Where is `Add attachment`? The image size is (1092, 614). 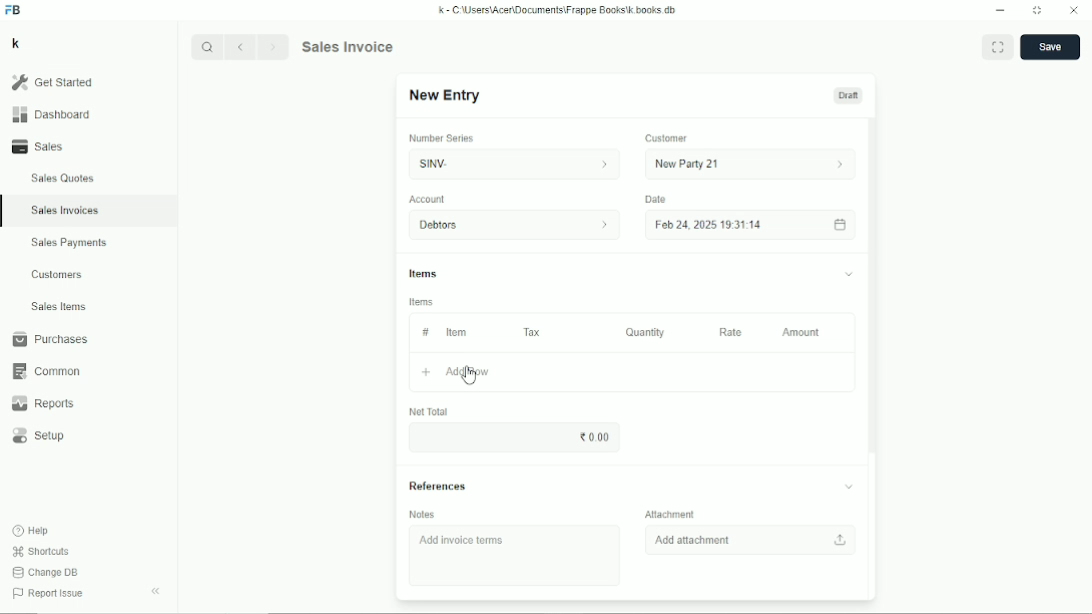
Add attachment is located at coordinates (753, 539).